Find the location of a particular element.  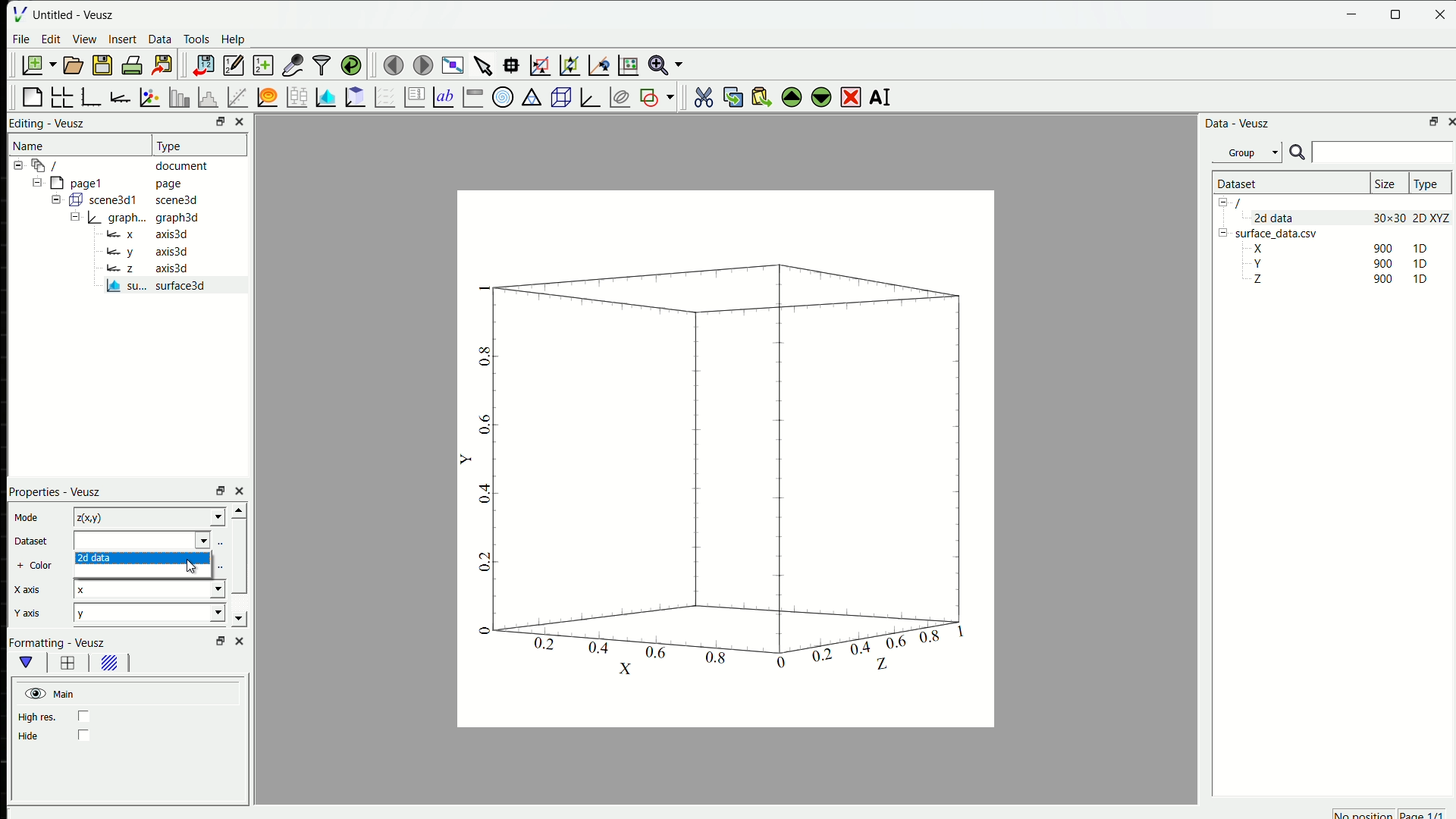

click to reset graph axis is located at coordinates (629, 65).